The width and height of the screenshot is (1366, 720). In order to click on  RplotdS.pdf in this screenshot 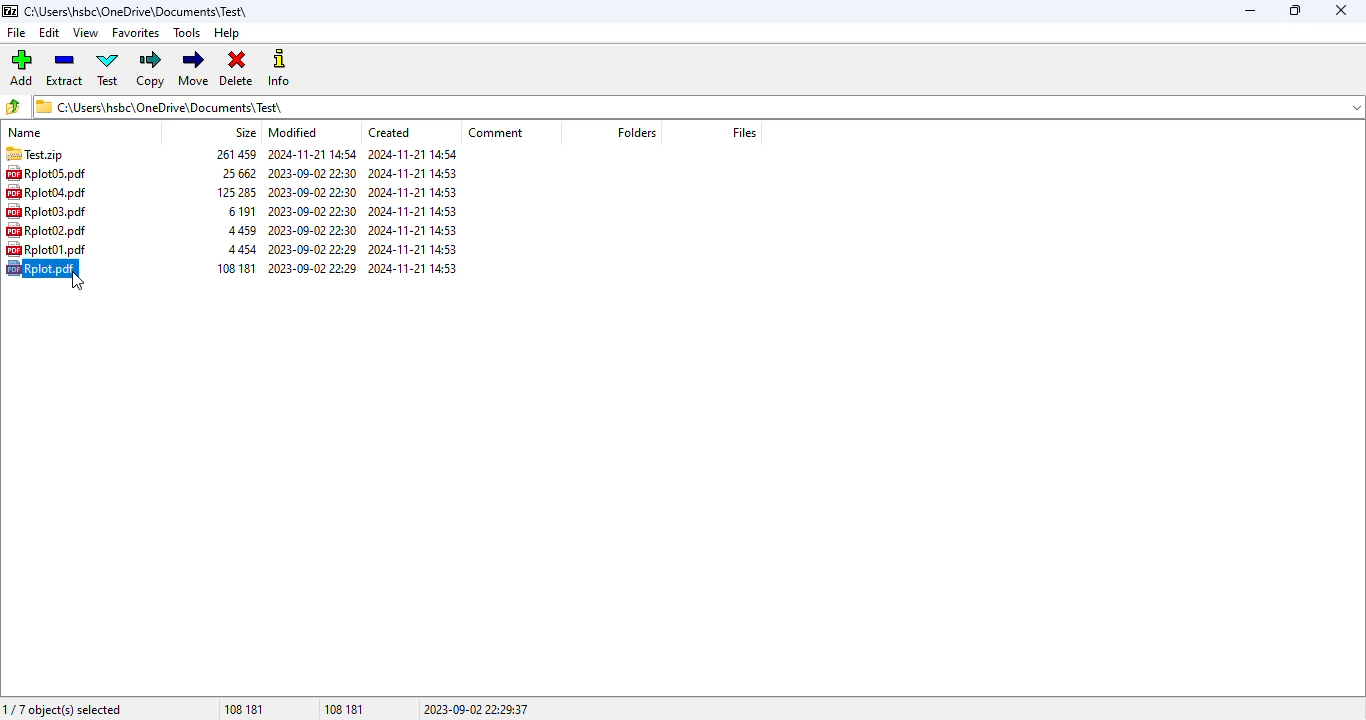, I will do `click(51, 173)`.